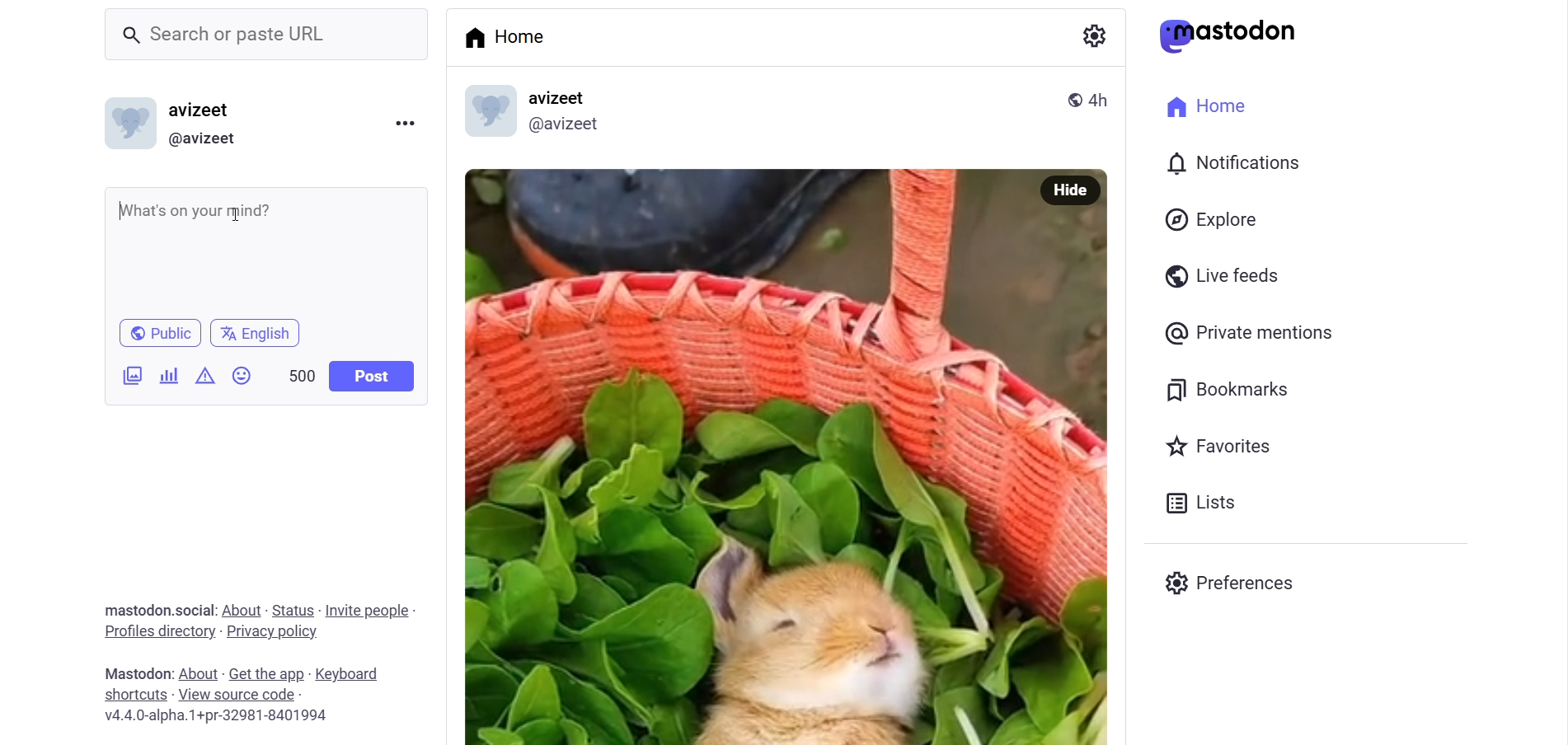 The image size is (1568, 745). What do you see at coordinates (1251, 331) in the screenshot?
I see `Private Mentions` at bounding box center [1251, 331].